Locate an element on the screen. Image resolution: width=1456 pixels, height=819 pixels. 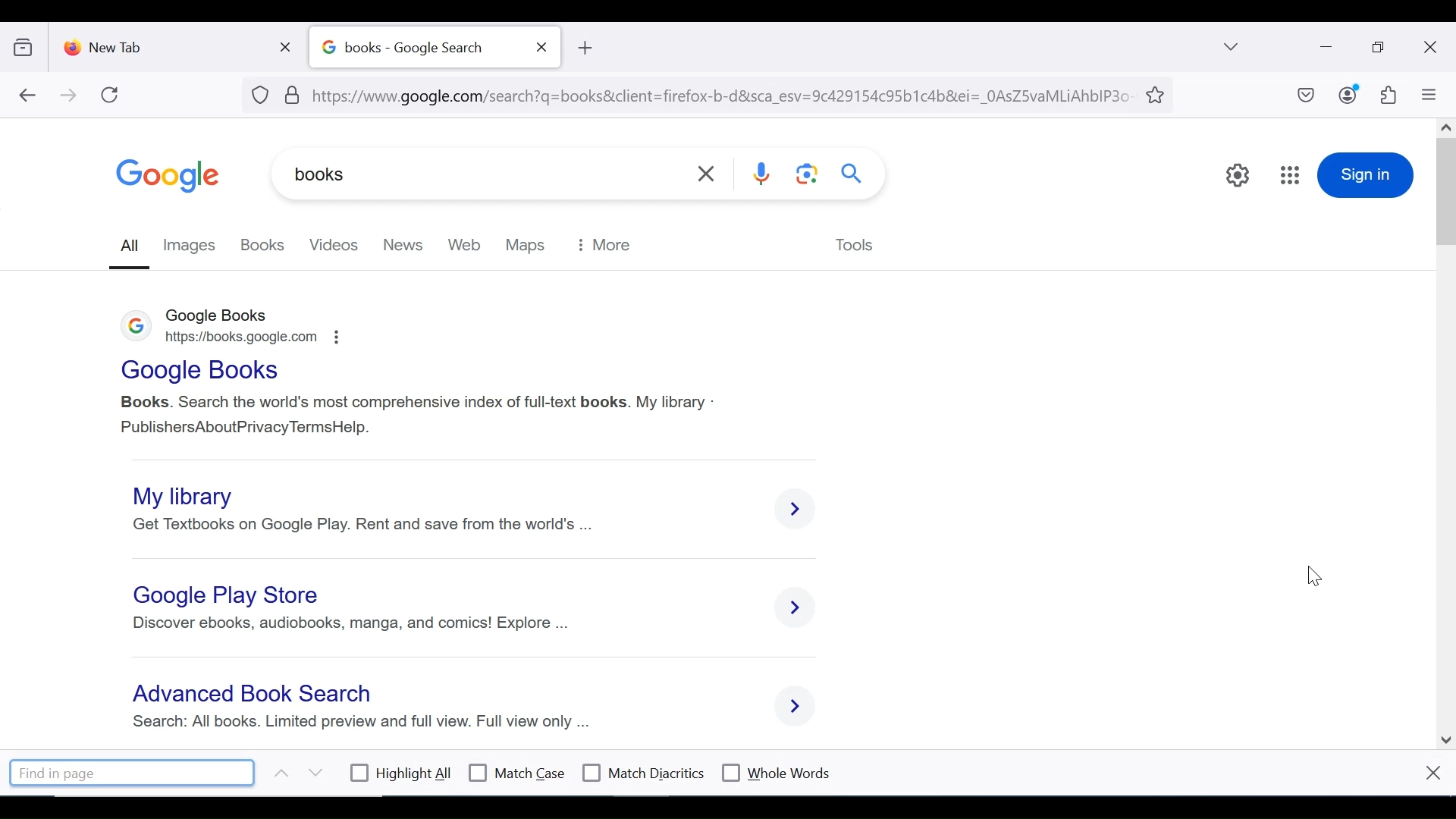
save to pocket is located at coordinates (1304, 96).